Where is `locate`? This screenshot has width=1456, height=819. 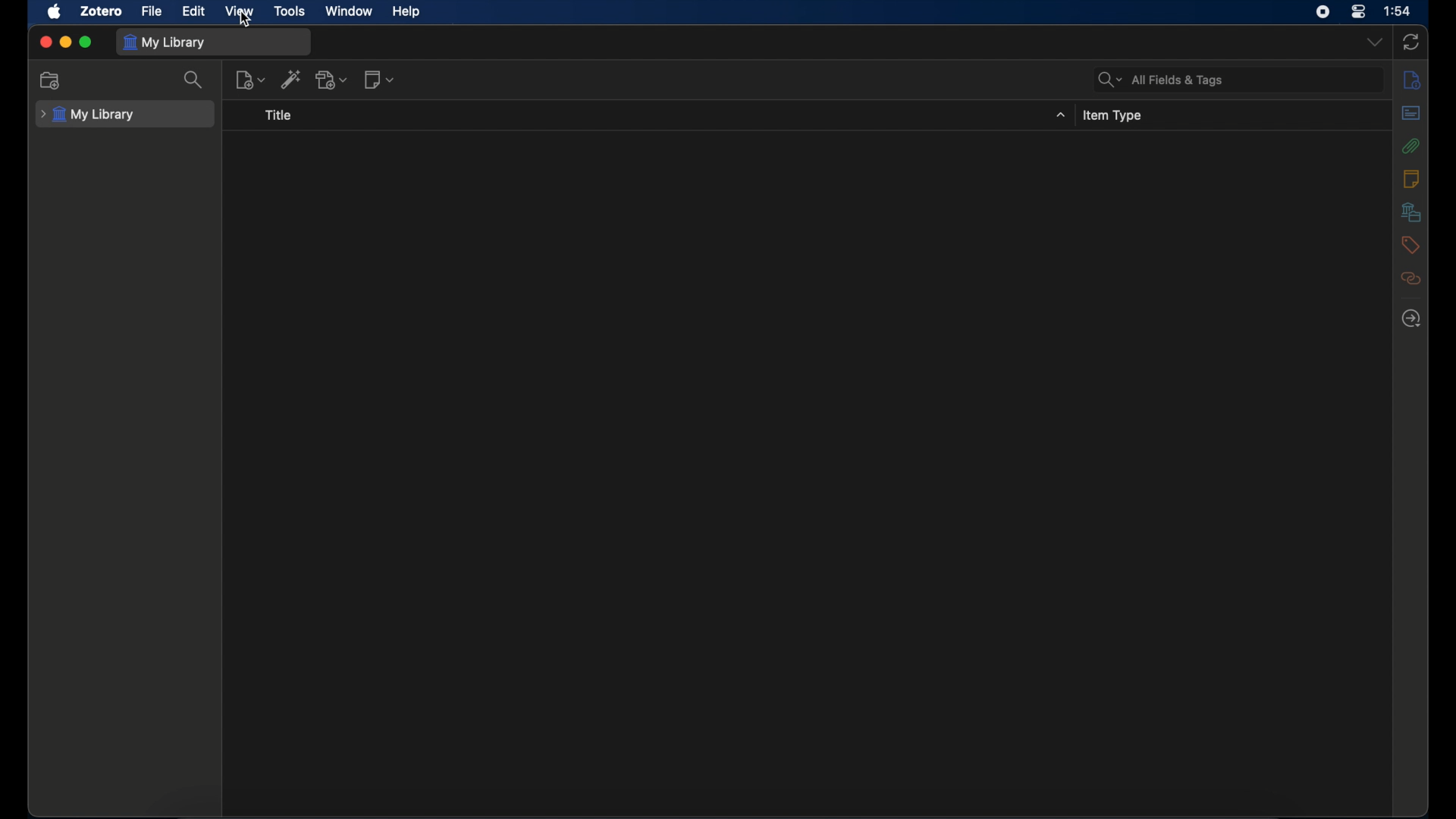
locate is located at coordinates (1412, 318).